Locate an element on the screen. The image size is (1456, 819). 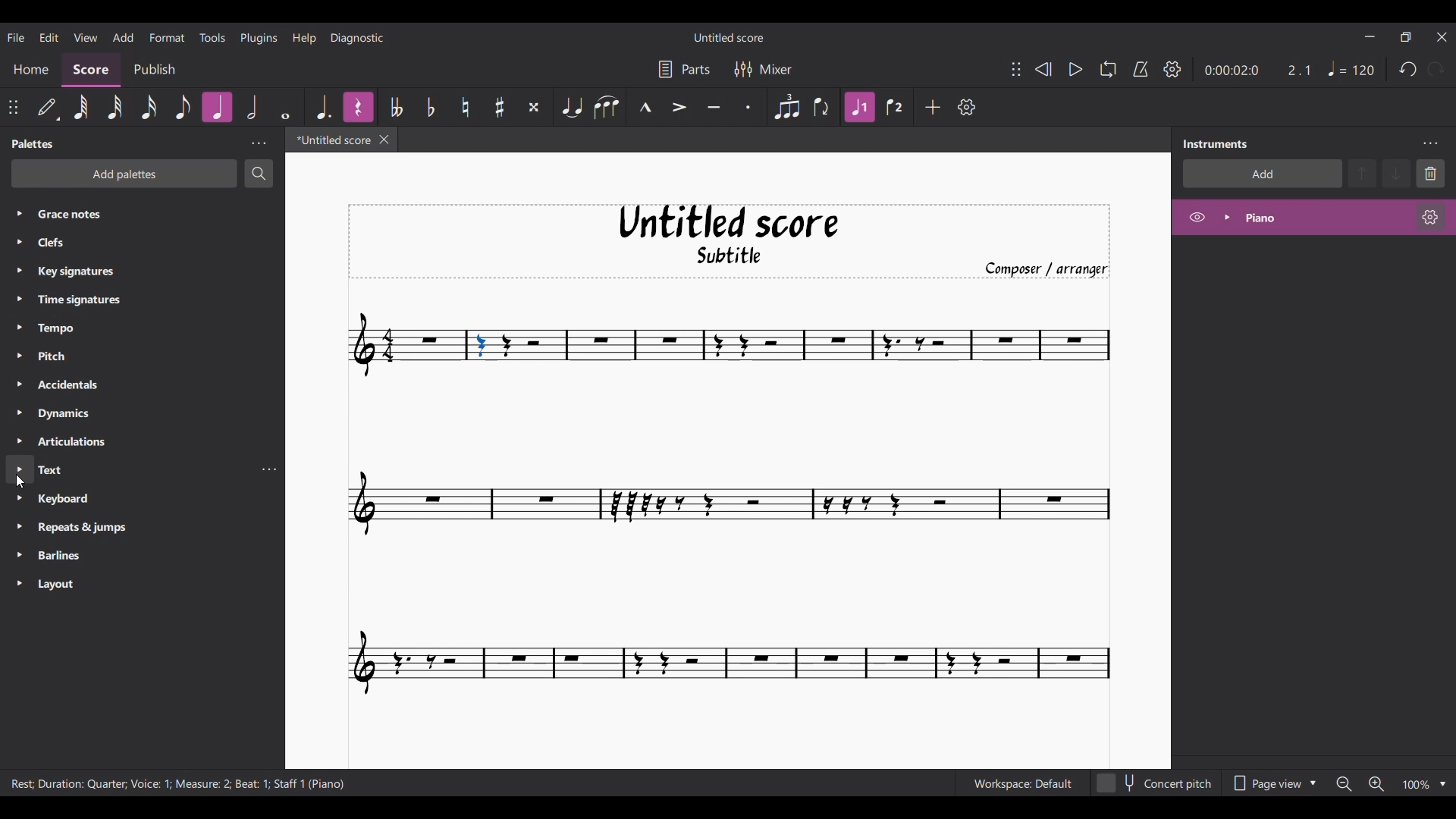
Workspace: Default is located at coordinates (1022, 783).